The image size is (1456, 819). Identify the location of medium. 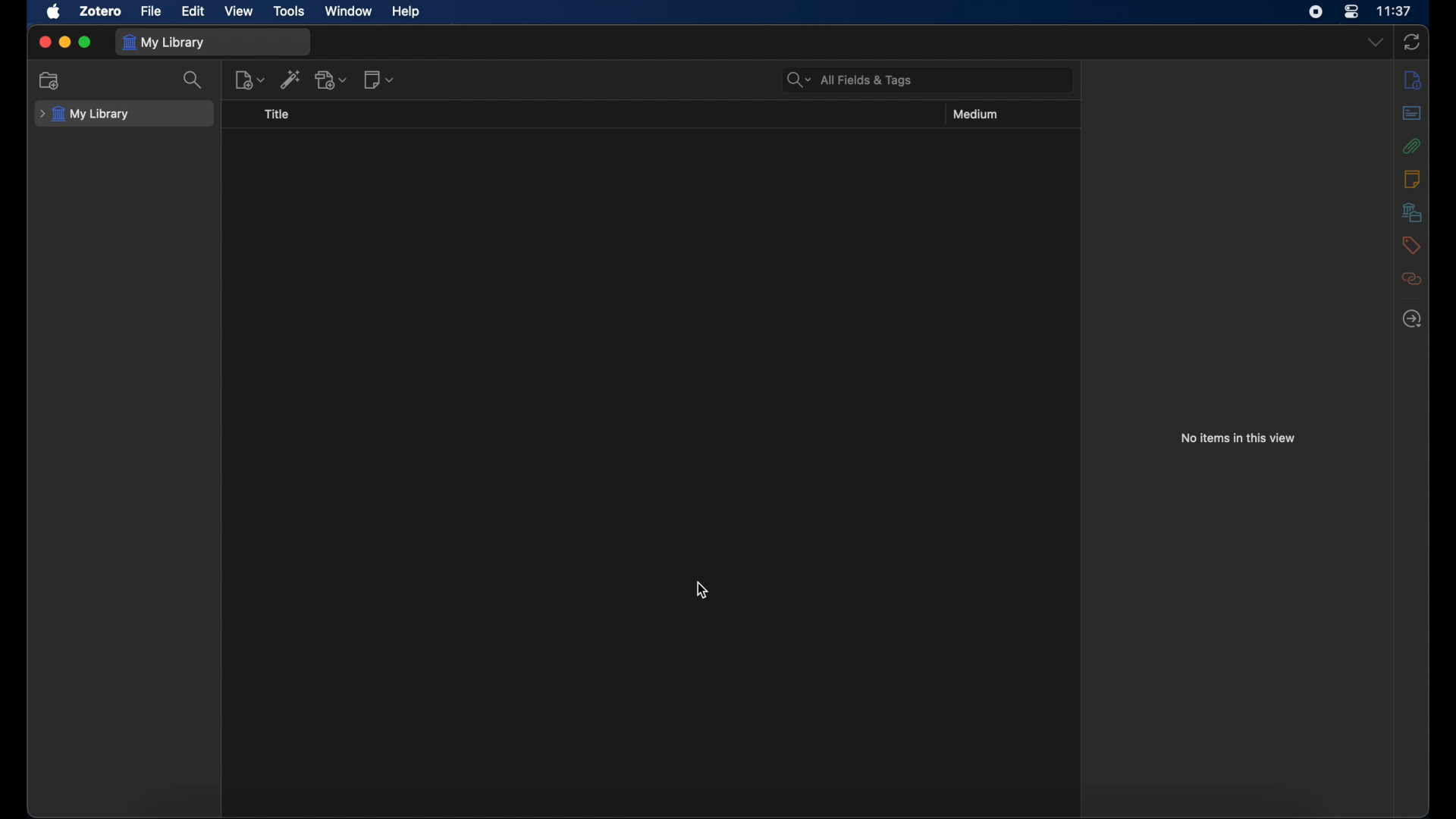
(978, 114).